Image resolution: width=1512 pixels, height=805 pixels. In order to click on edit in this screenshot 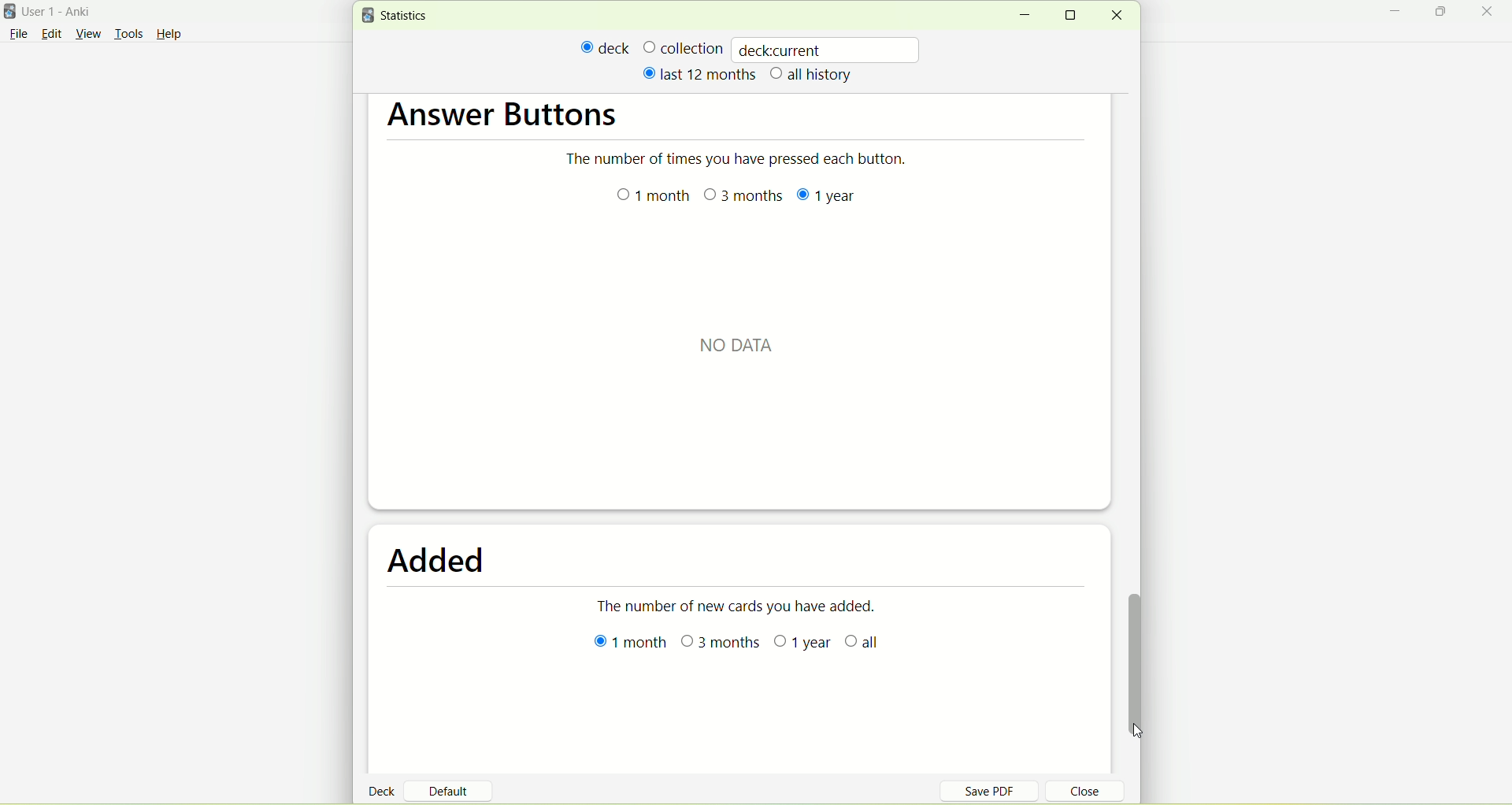, I will do `click(51, 33)`.